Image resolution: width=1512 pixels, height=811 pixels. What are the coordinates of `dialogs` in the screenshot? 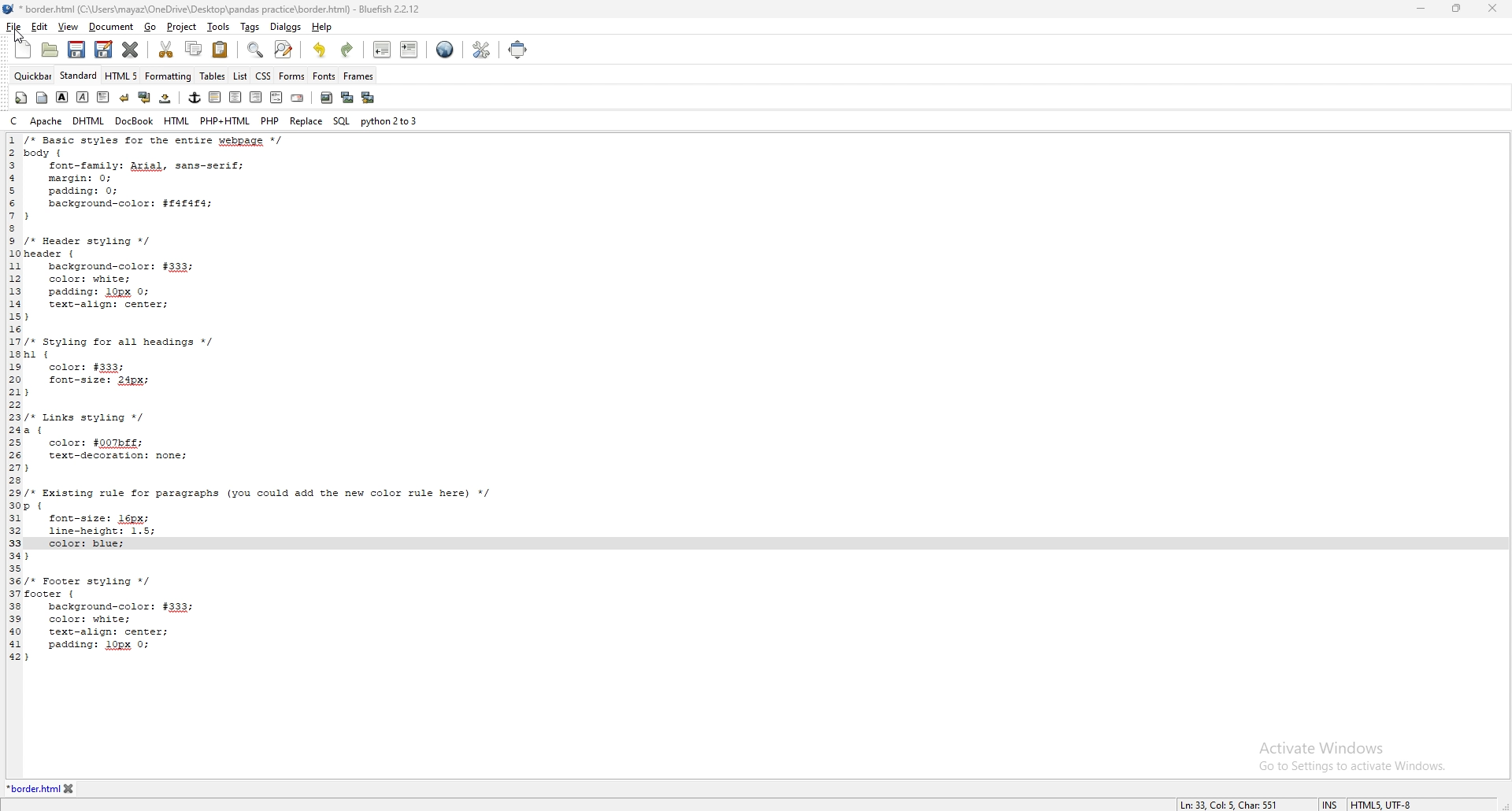 It's located at (287, 26).